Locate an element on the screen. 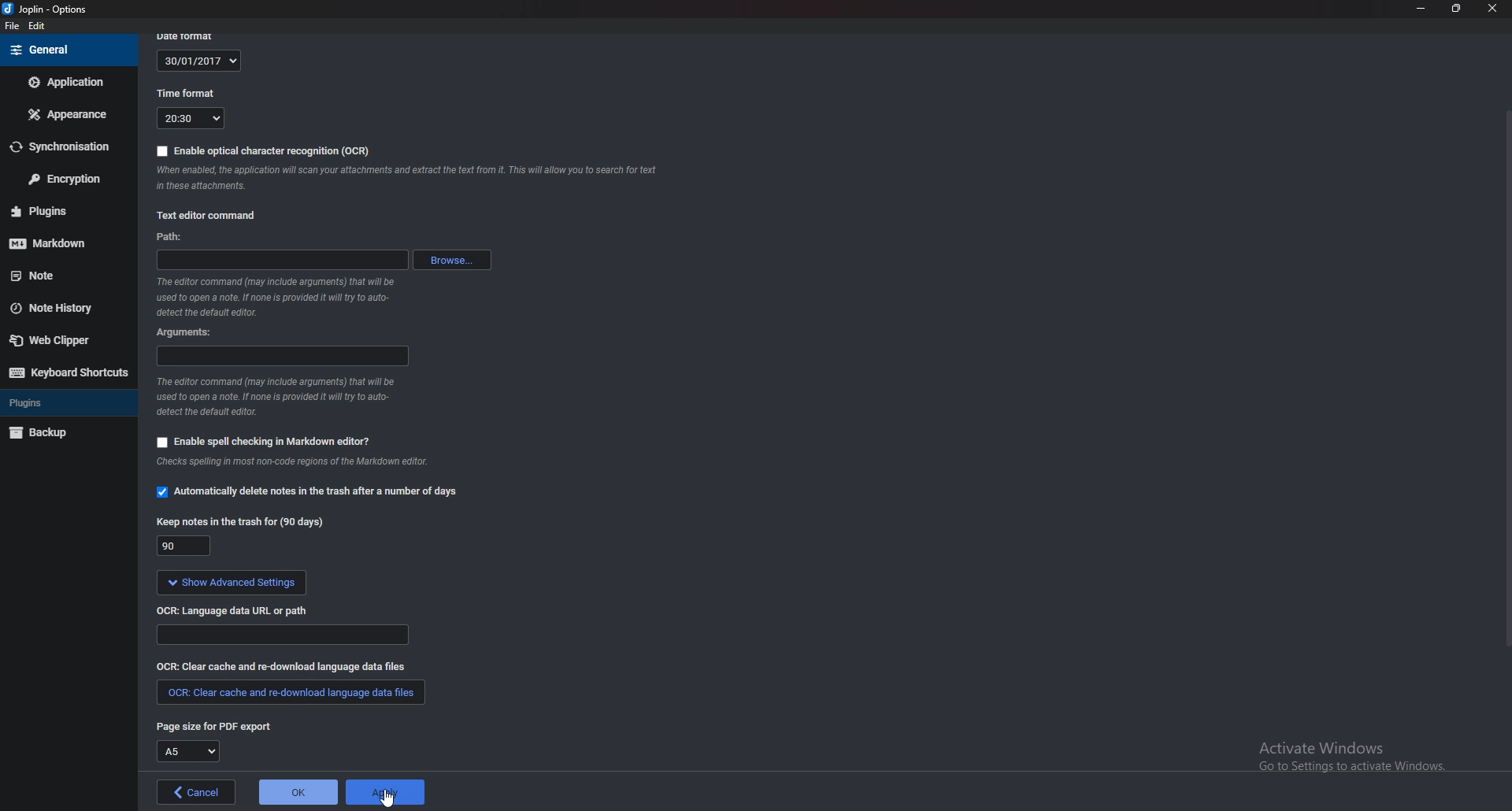 The height and width of the screenshot is (811, 1512). apply is located at coordinates (384, 792).